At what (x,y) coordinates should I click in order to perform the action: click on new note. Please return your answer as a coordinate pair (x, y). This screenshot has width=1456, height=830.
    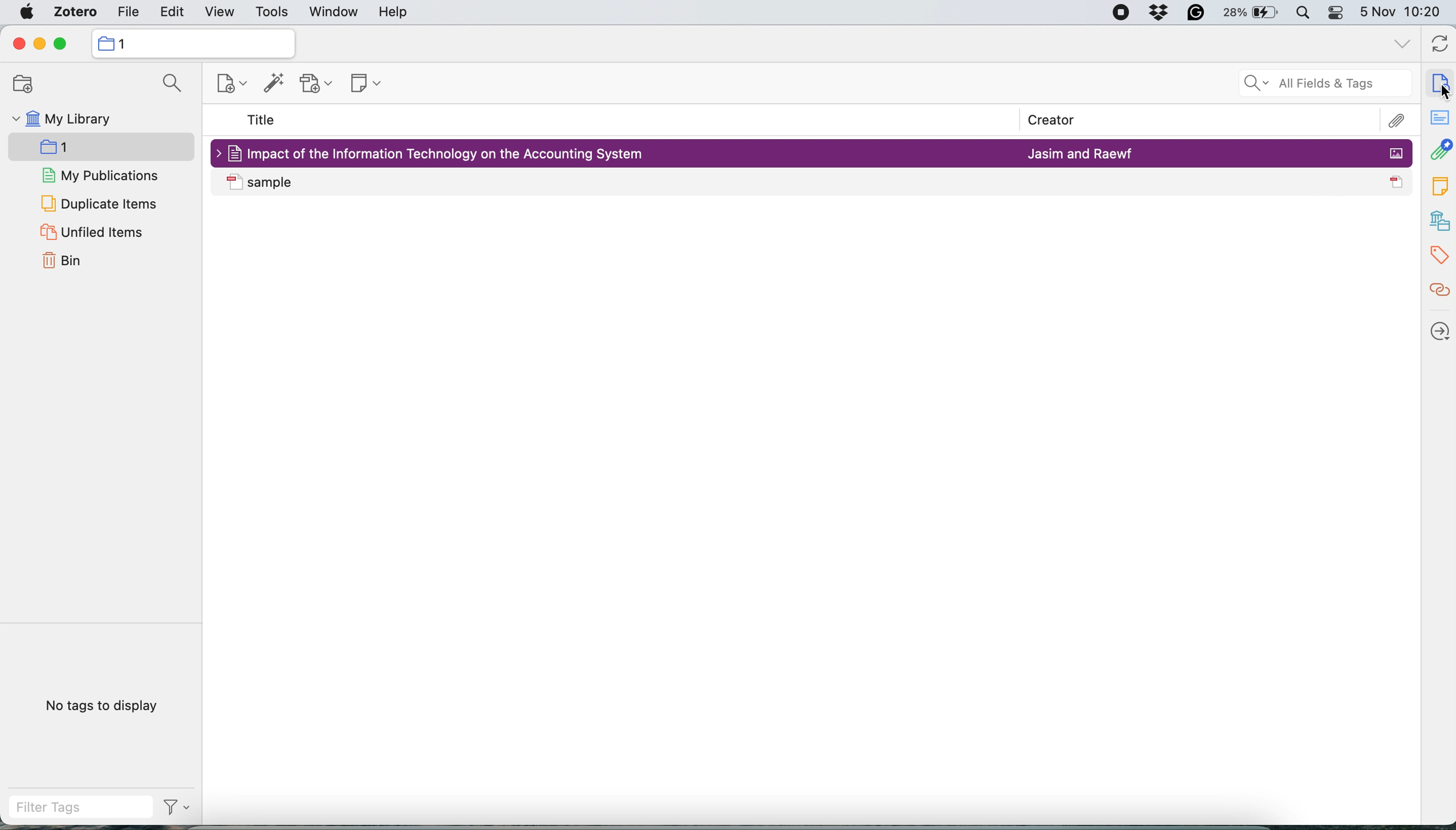
    Looking at the image, I should click on (364, 84).